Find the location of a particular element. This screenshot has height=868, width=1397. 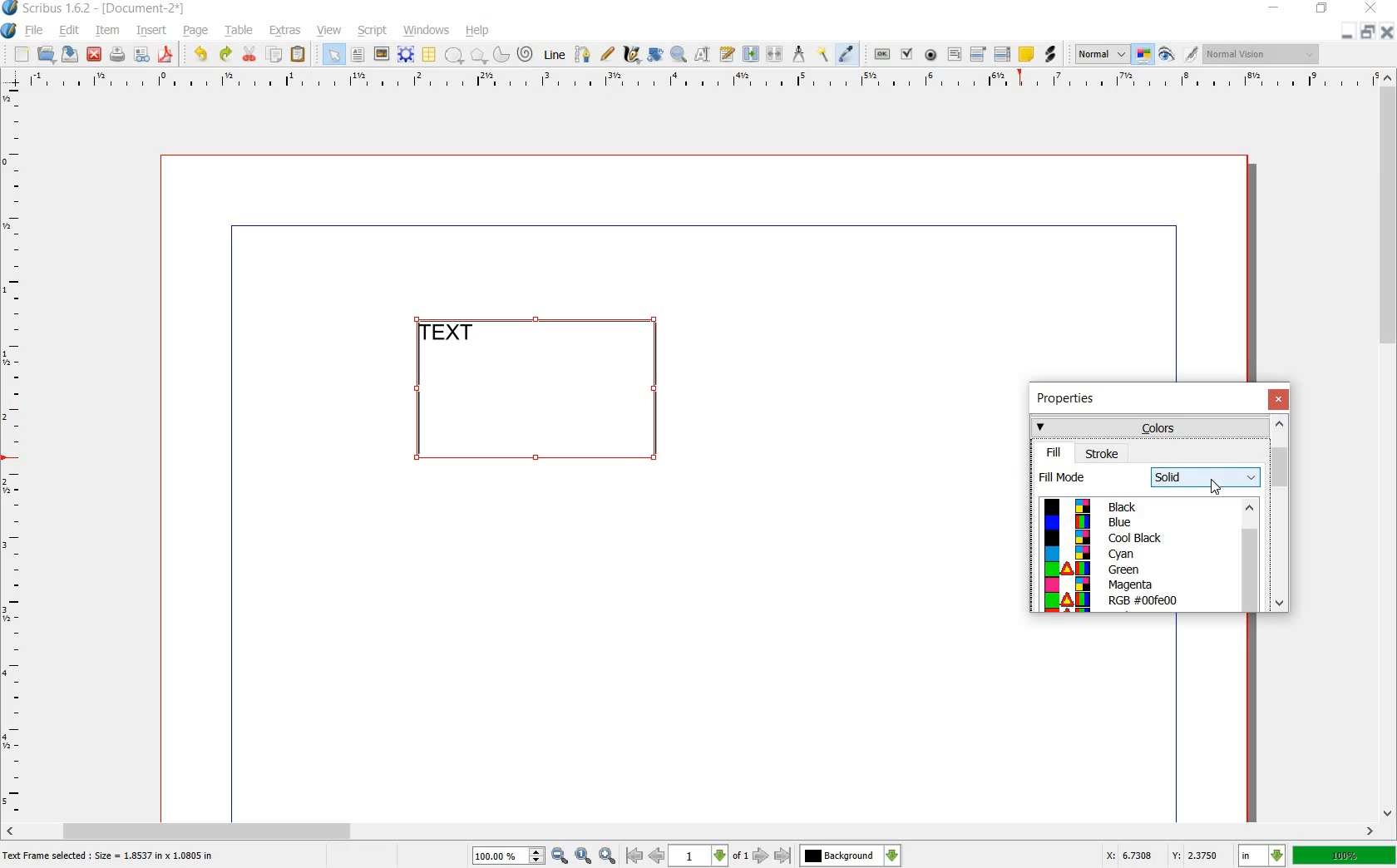

edit text with story editor is located at coordinates (726, 54).